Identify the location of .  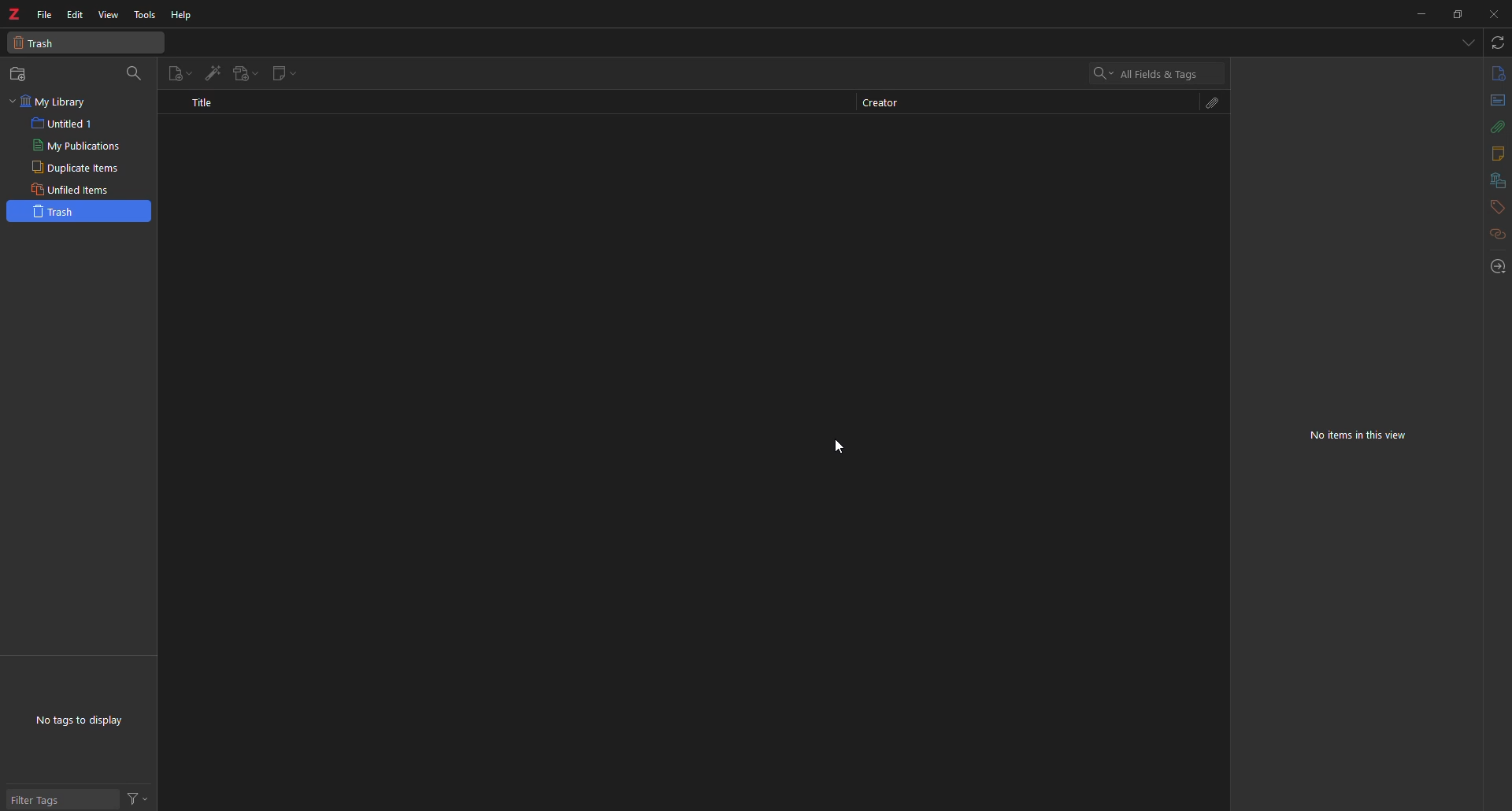
(137, 798).